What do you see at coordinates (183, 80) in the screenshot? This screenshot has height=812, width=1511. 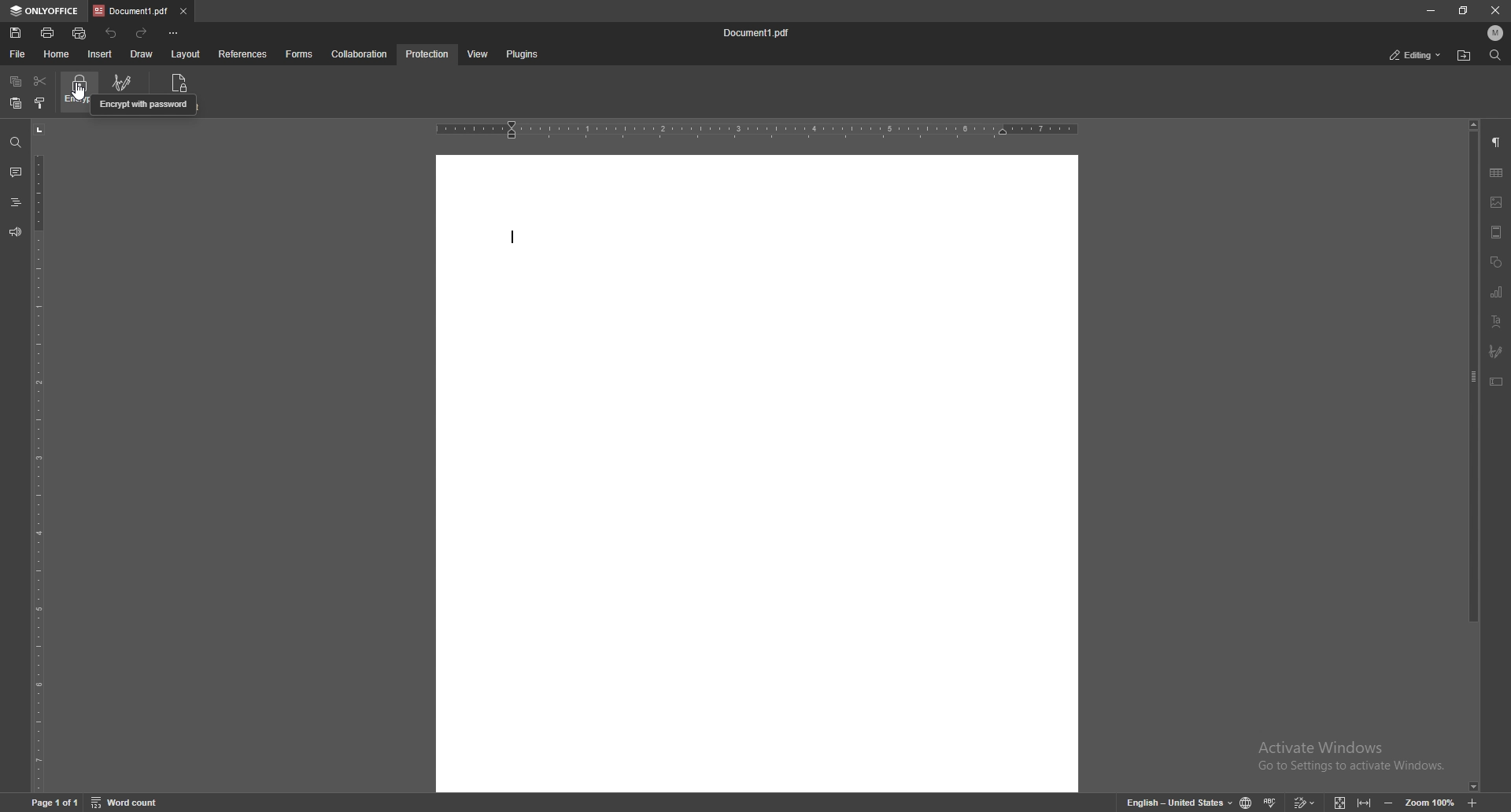 I see `protect document` at bounding box center [183, 80].